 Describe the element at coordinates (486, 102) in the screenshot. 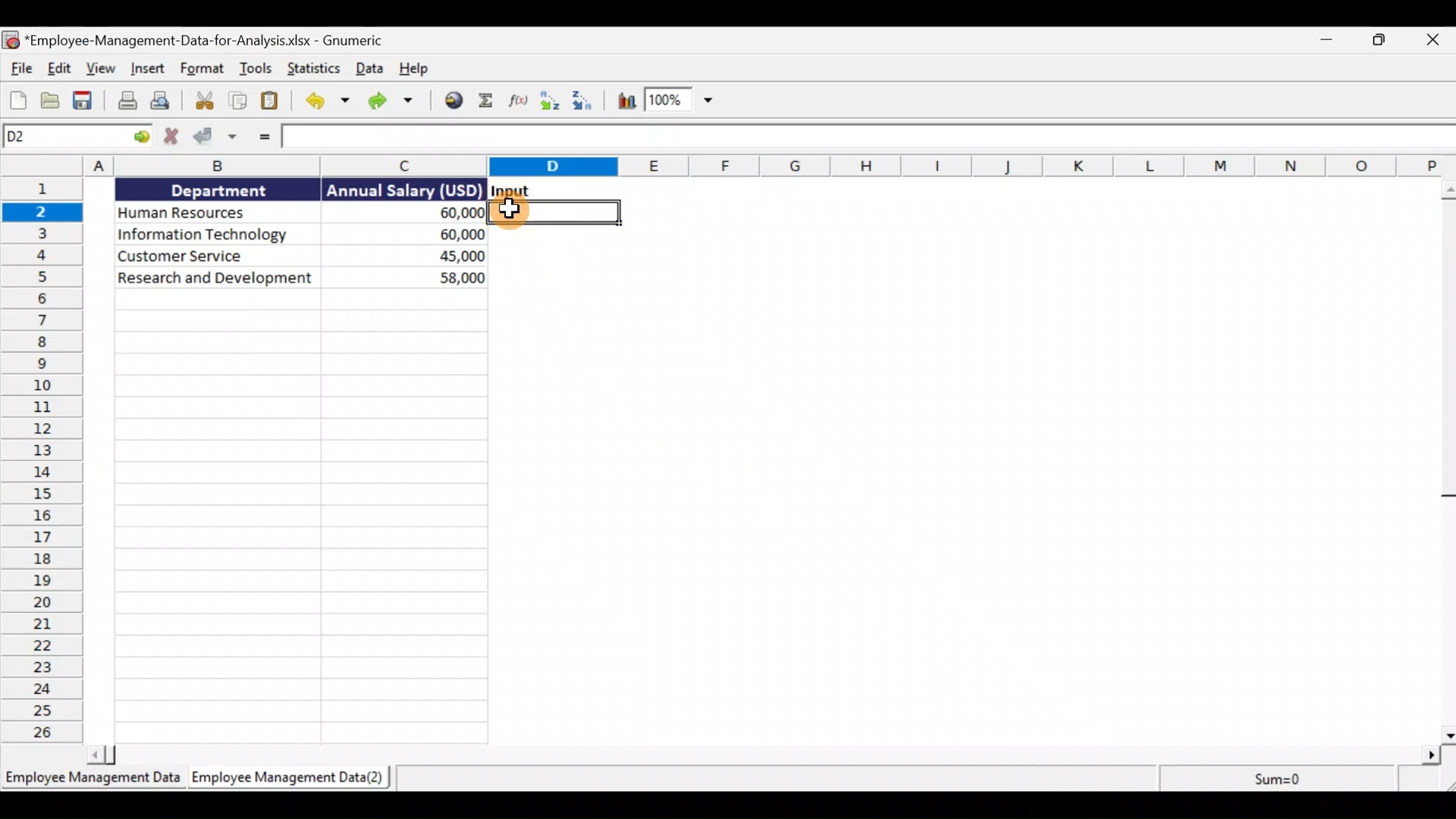

I see `Sum into current cell` at that location.